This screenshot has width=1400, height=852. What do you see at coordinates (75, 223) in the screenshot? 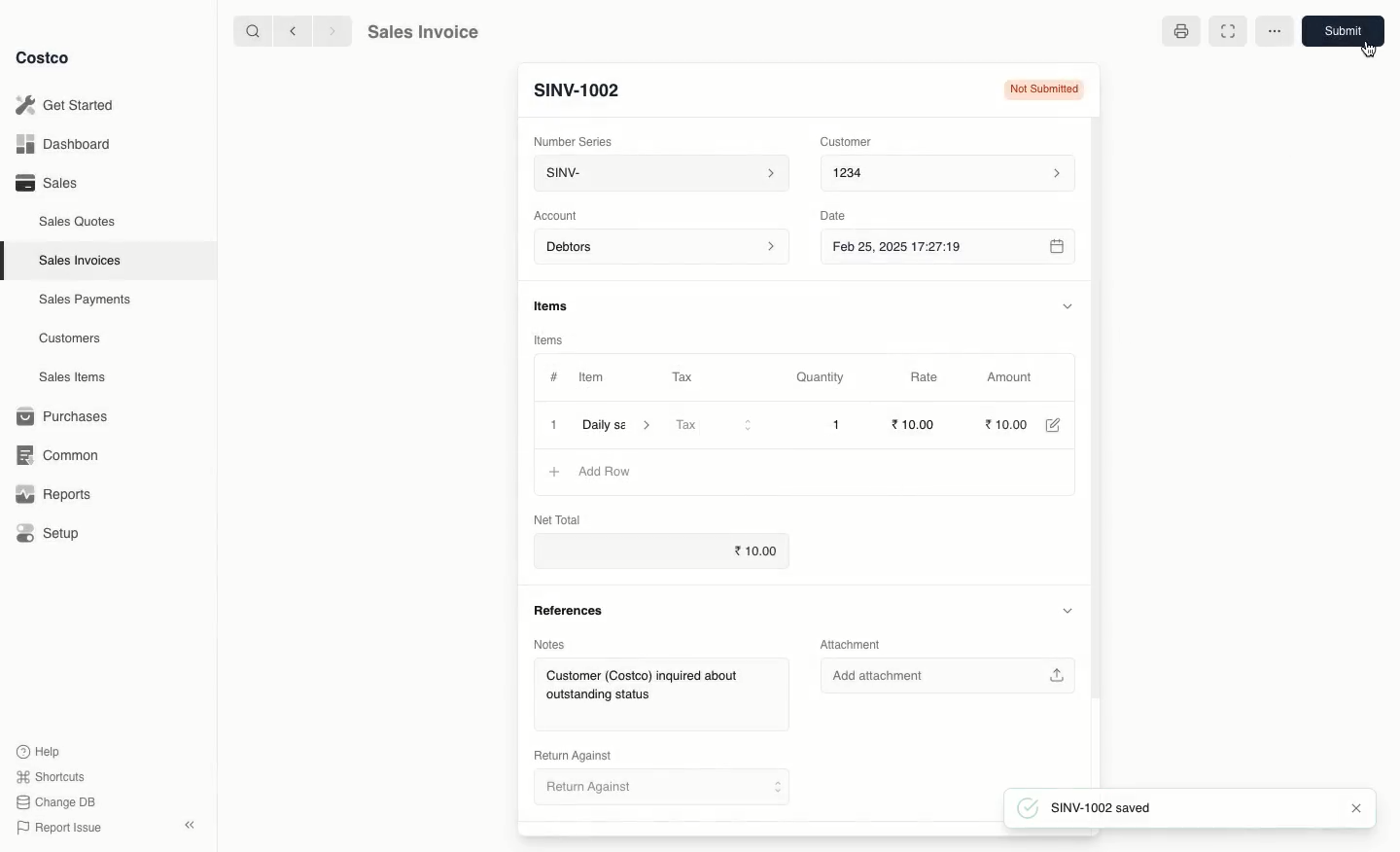
I see `Sales Quotes` at bounding box center [75, 223].